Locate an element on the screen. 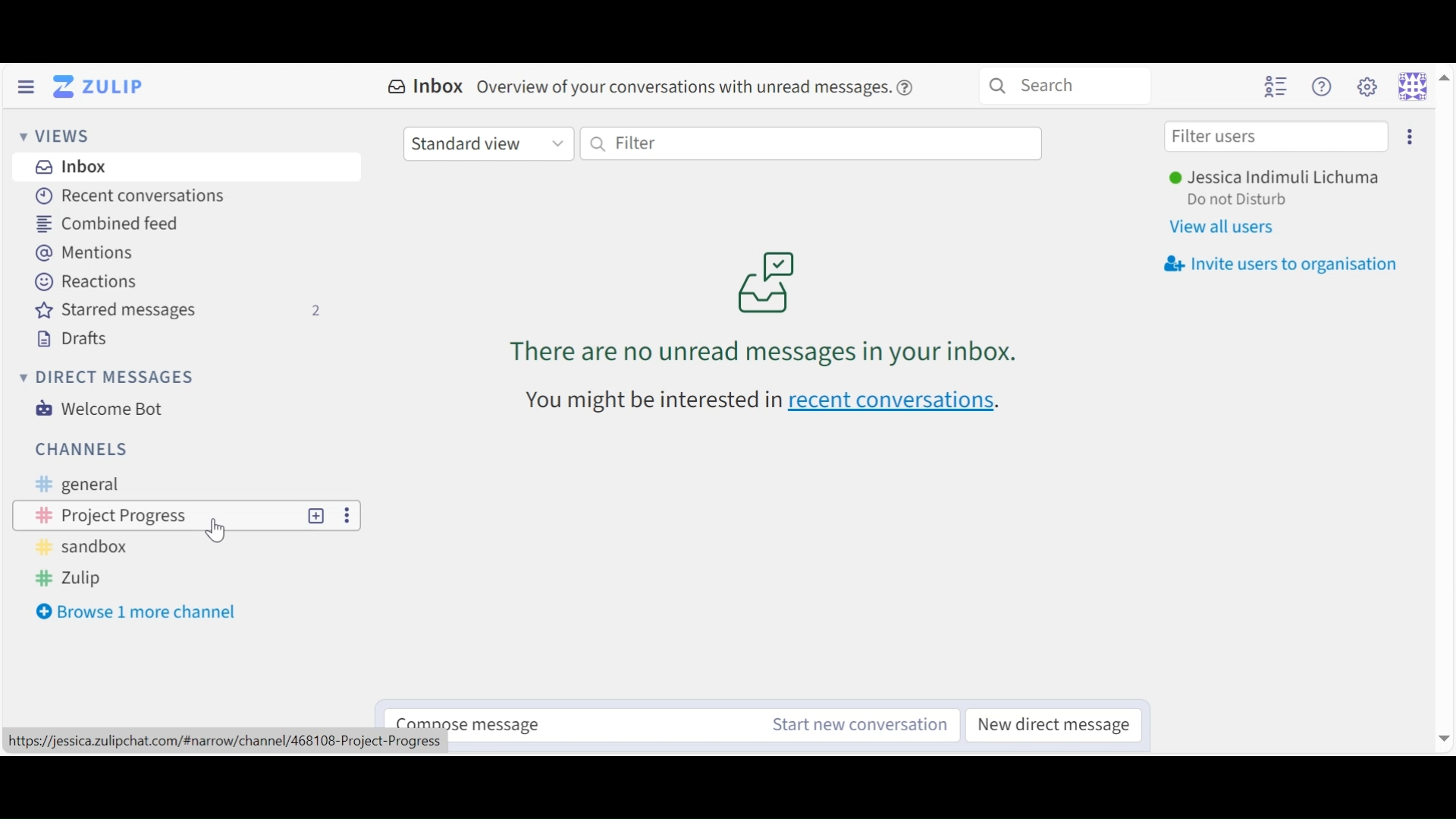  Main menu is located at coordinates (1367, 86).